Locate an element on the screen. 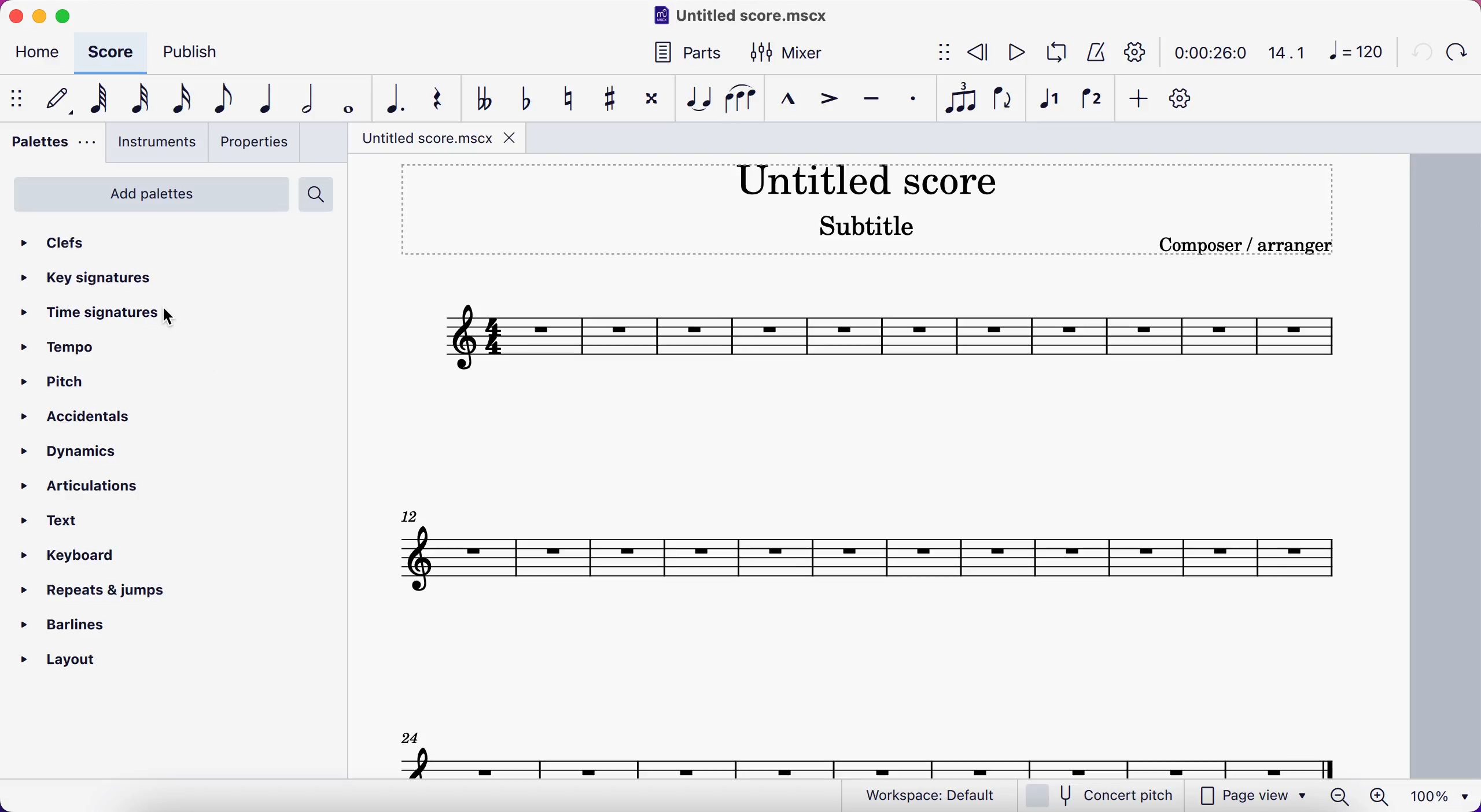  pitch is located at coordinates (74, 384).